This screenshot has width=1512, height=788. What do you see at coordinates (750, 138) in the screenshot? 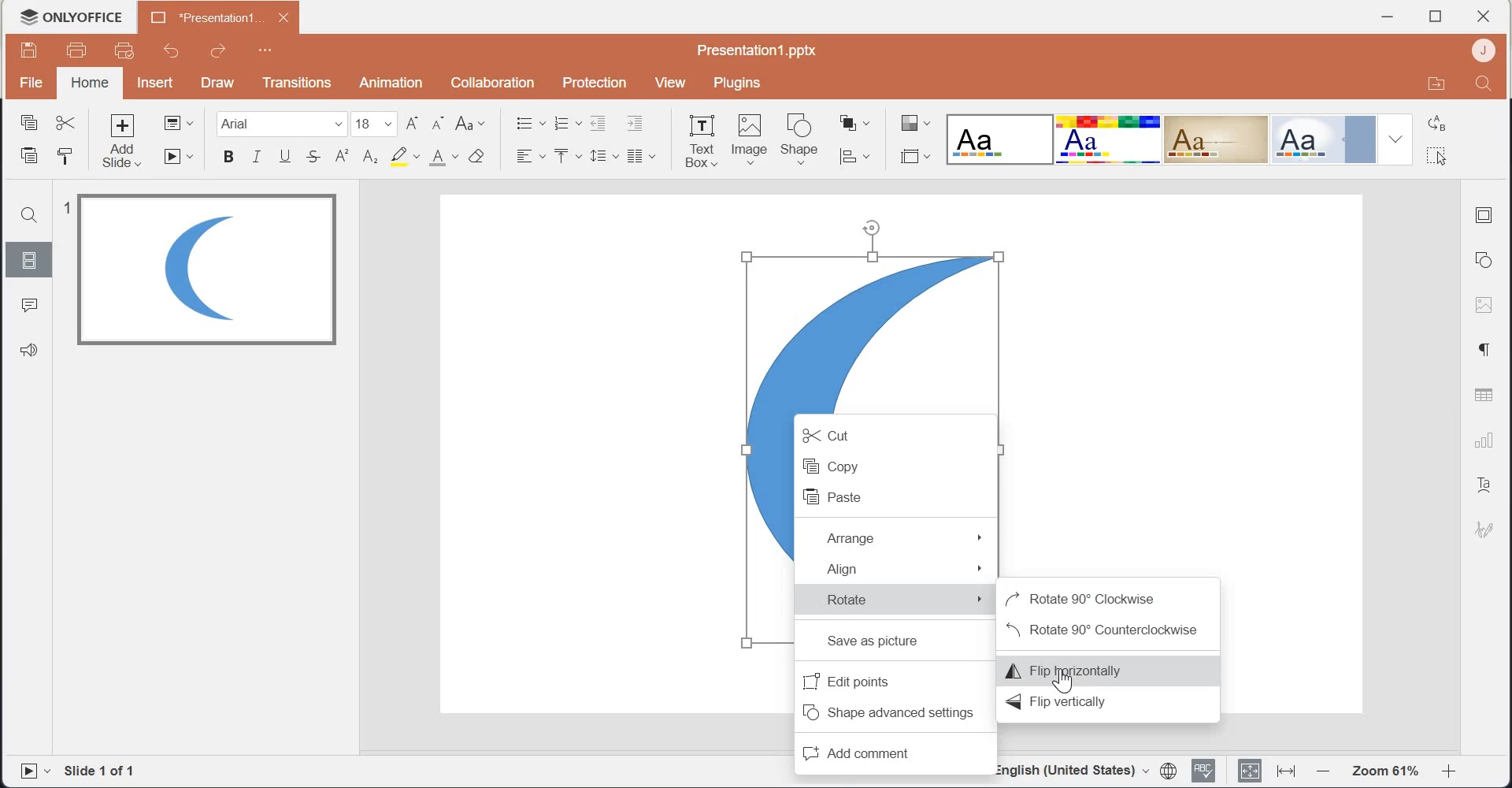
I see `Image` at bounding box center [750, 138].